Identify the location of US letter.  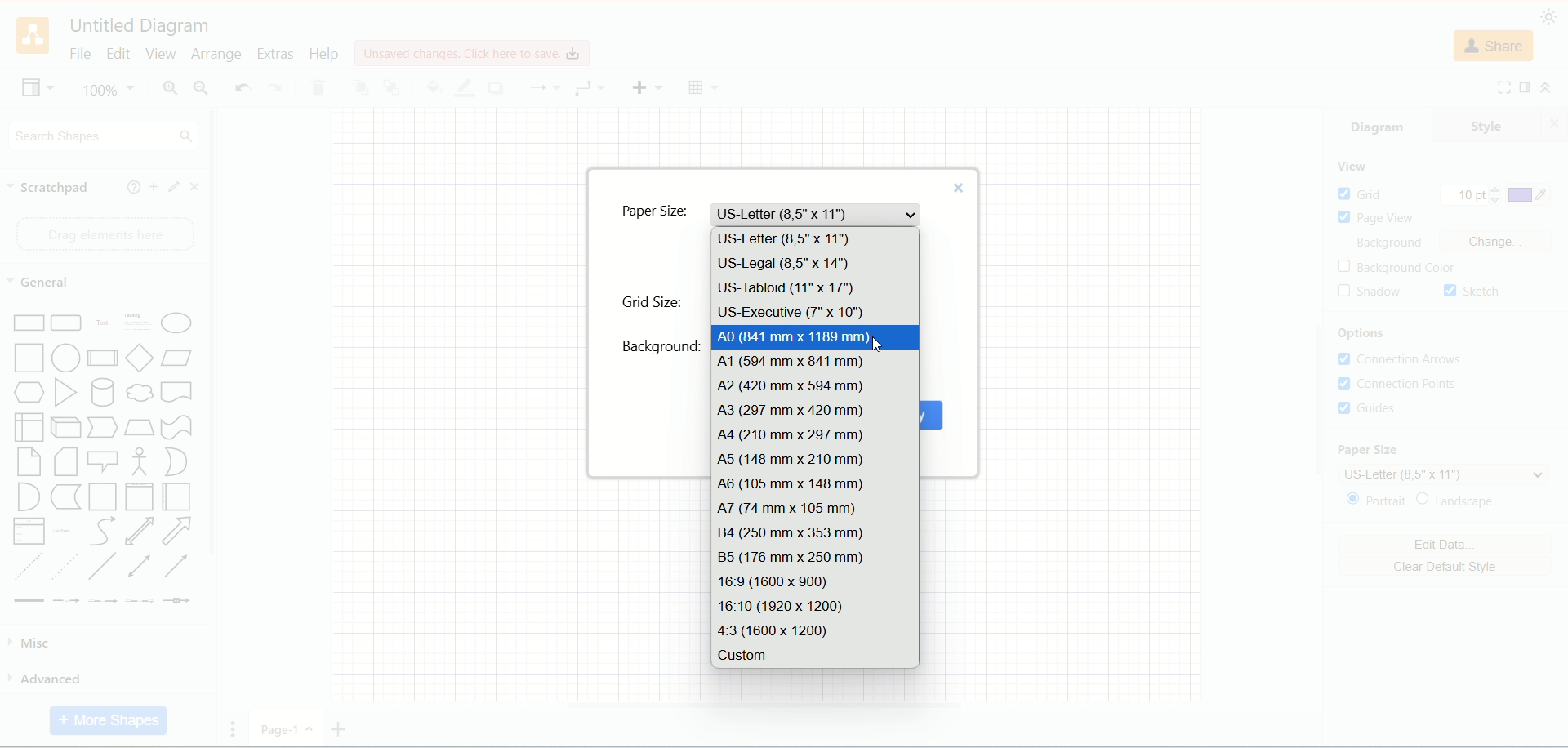
(1445, 474).